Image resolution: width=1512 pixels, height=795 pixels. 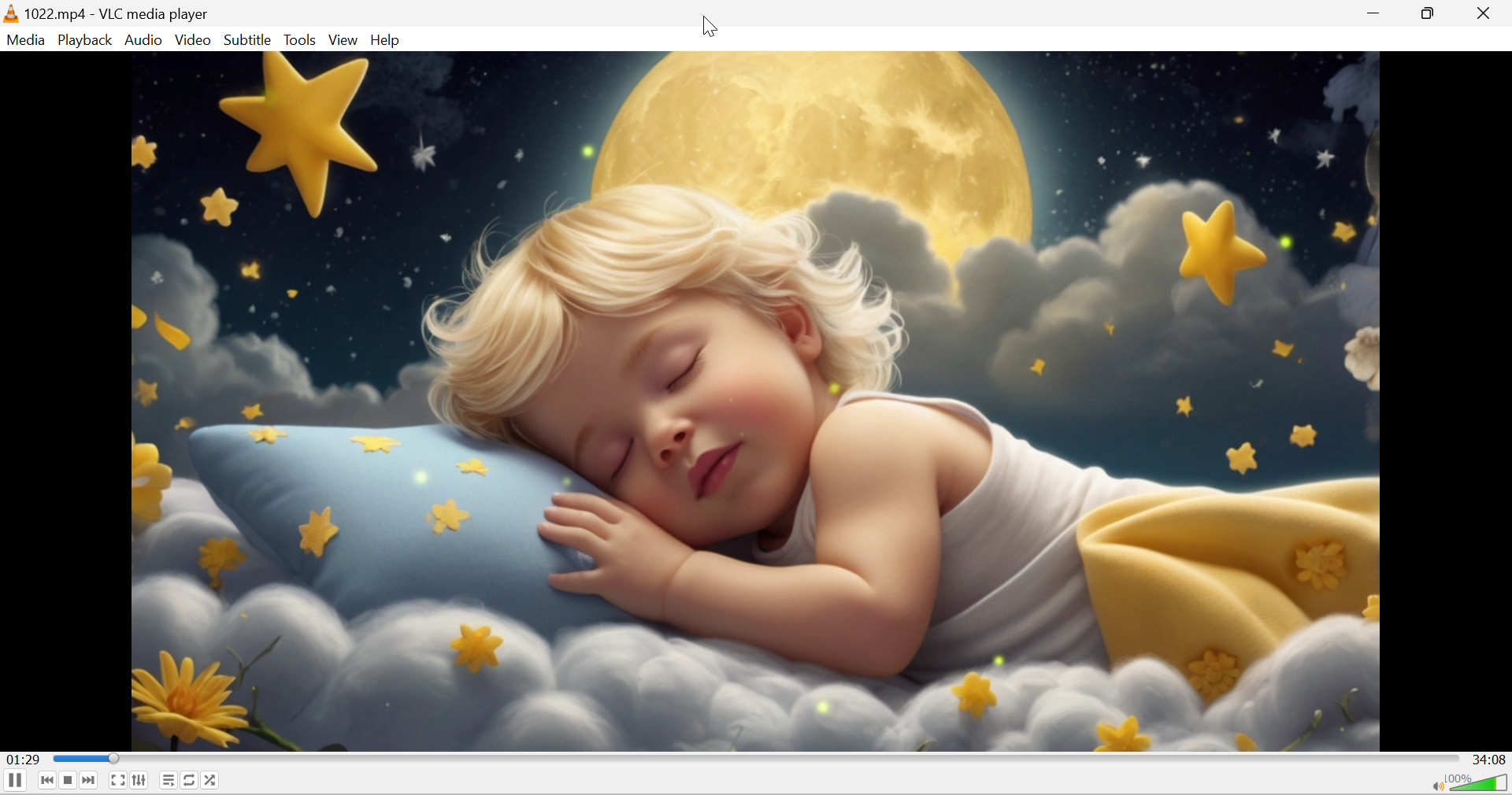 I want to click on Stop playback, so click(x=69, y=781).